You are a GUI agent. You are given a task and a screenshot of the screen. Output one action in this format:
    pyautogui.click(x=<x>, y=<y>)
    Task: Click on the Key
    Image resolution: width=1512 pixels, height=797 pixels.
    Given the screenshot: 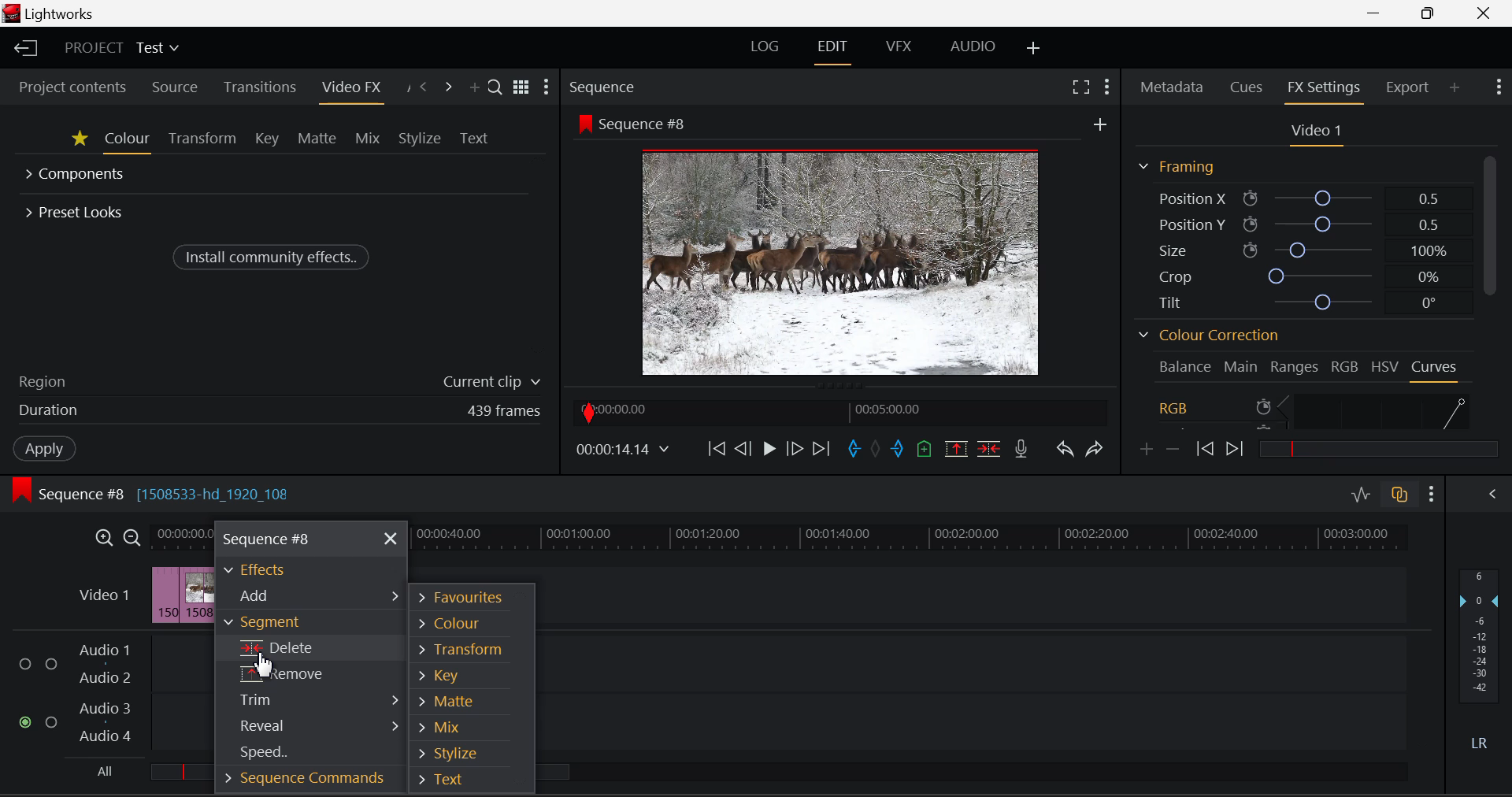 What is the action you would take?
    pyautogui.click(x=265, y=140)
    